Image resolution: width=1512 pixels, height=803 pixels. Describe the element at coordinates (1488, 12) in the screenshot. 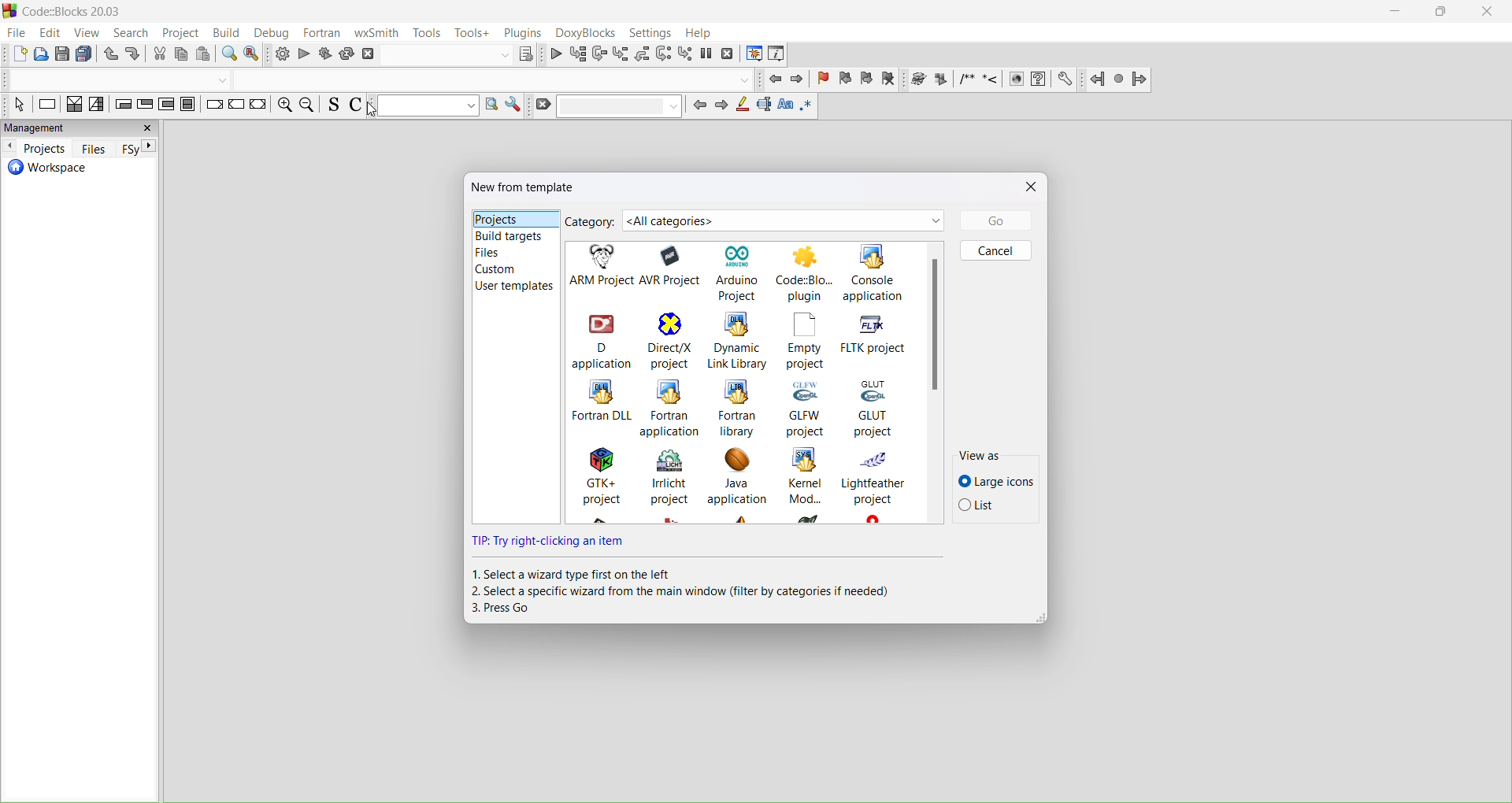

I see `close` at that location.